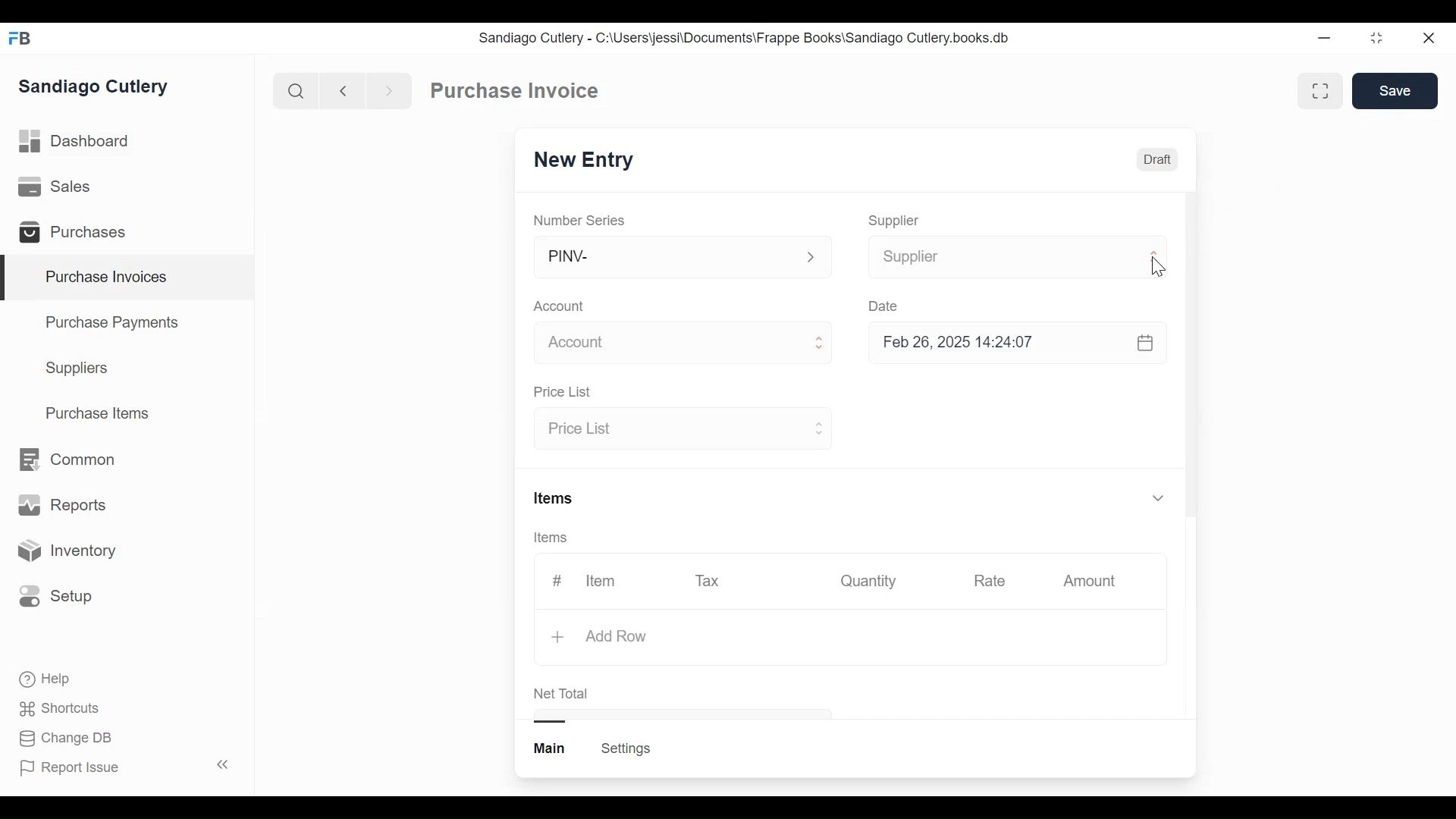 The height and width of the screenshot is (819, 1456). What do you see at coordinates (77, 369) in the screenshot?
I see `Suppliers` at bounding box center [77, 369].